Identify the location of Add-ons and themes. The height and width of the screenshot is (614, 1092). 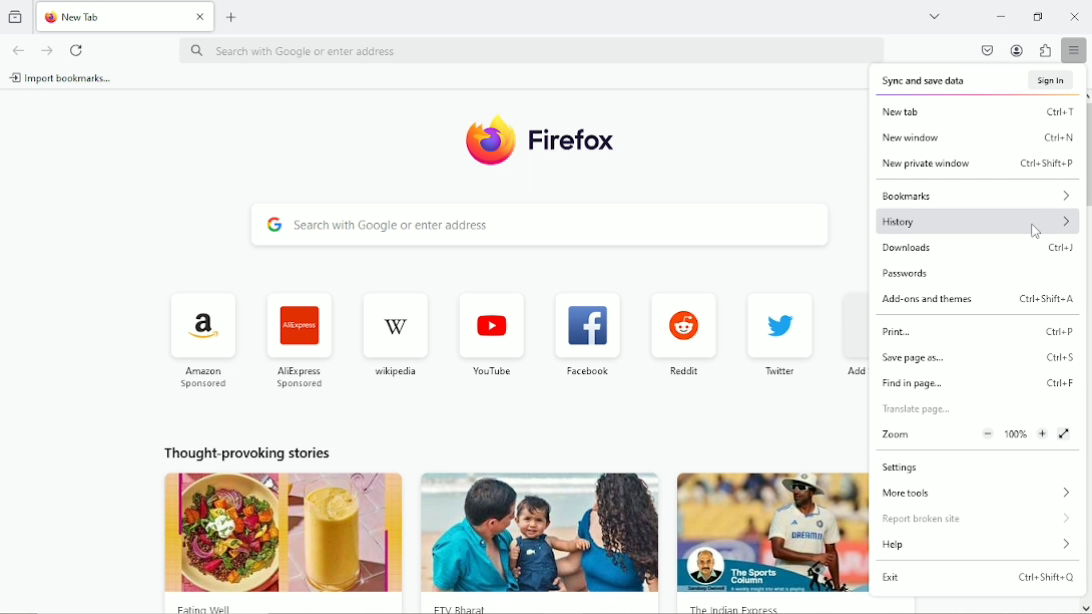
(977, 299).